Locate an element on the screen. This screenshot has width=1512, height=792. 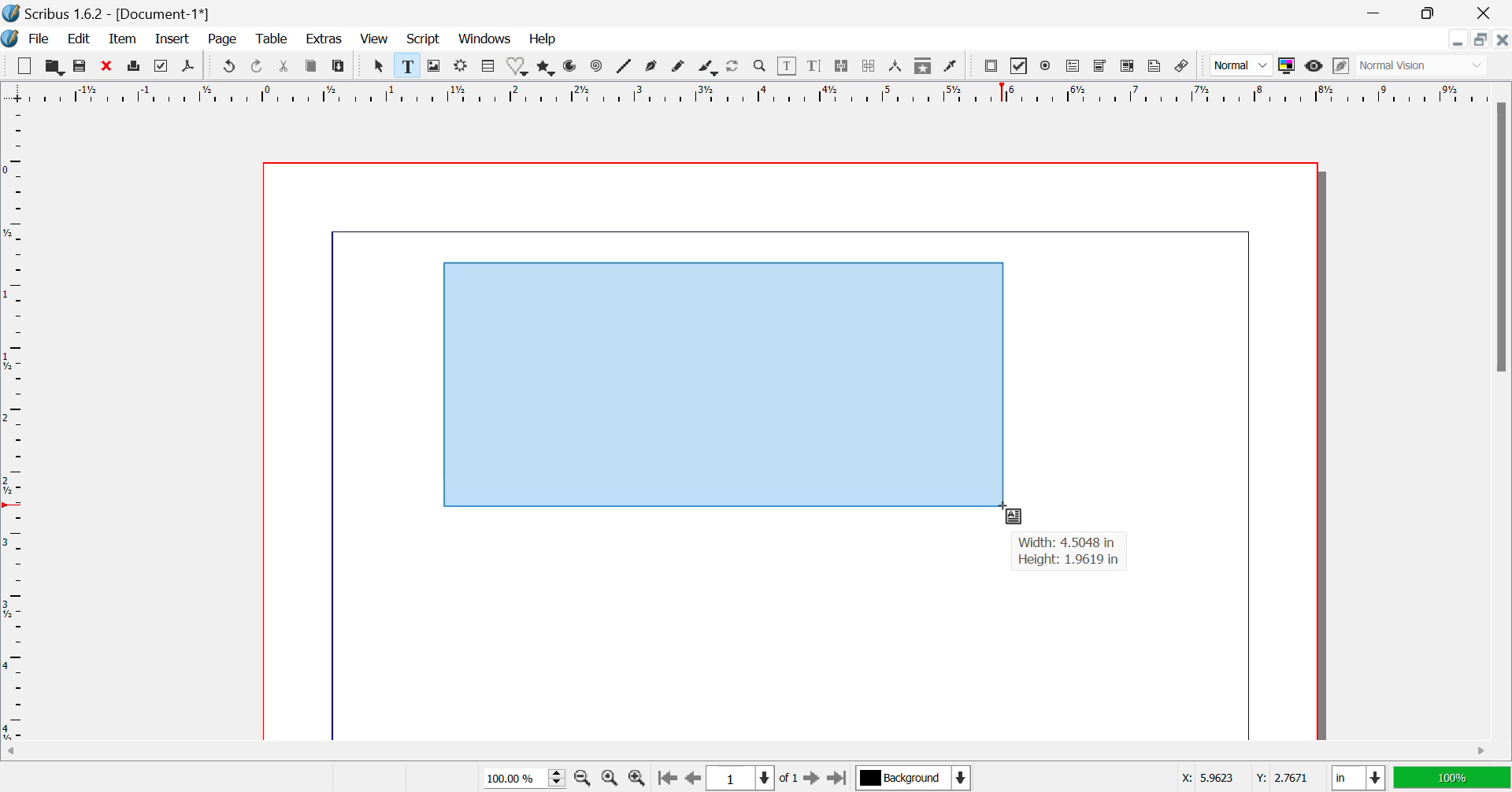
Zoom to 100% is located at coordinates (610, 779).